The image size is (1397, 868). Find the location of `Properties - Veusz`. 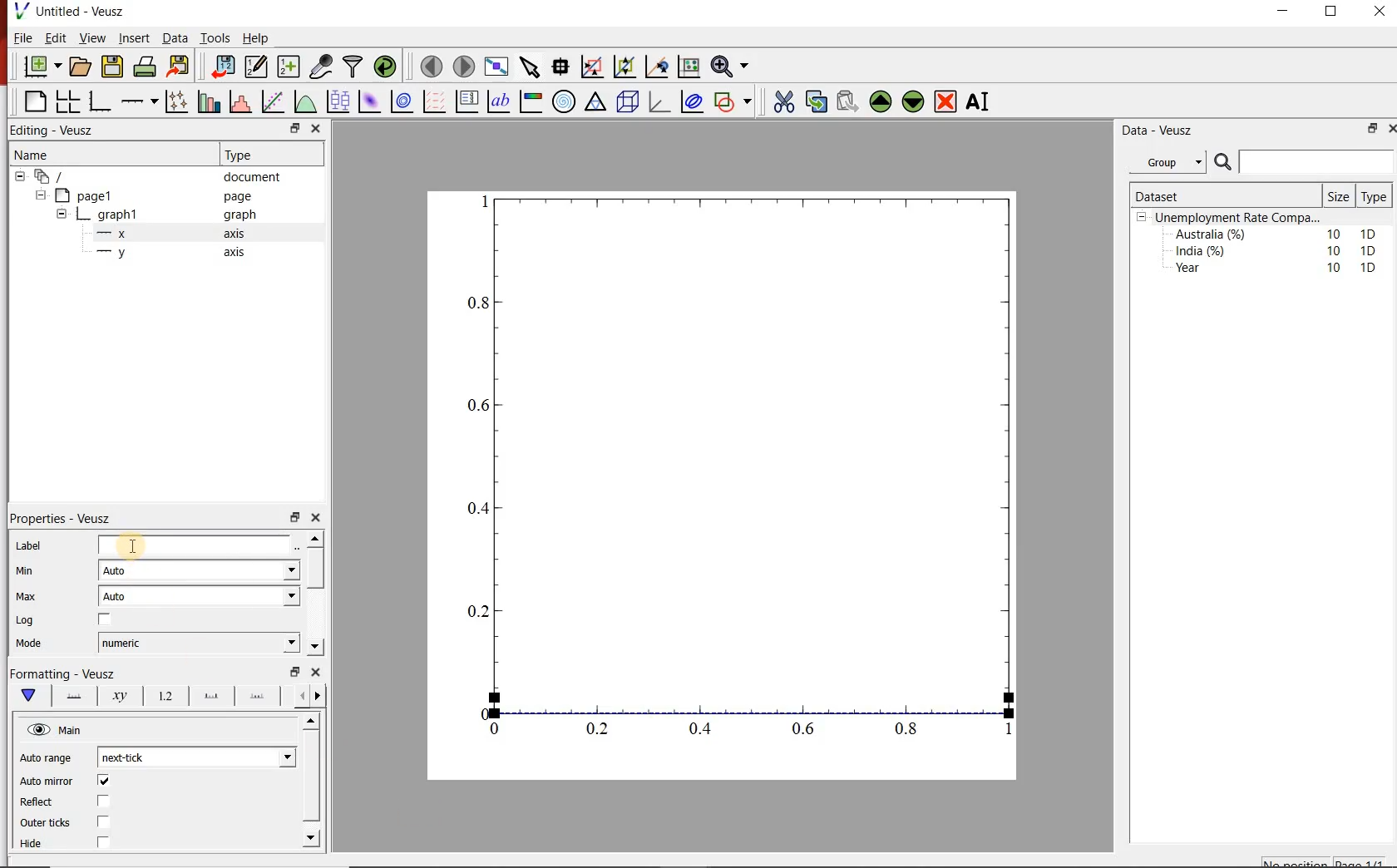

Properties - Veusz is located at coordinates (63, 520).